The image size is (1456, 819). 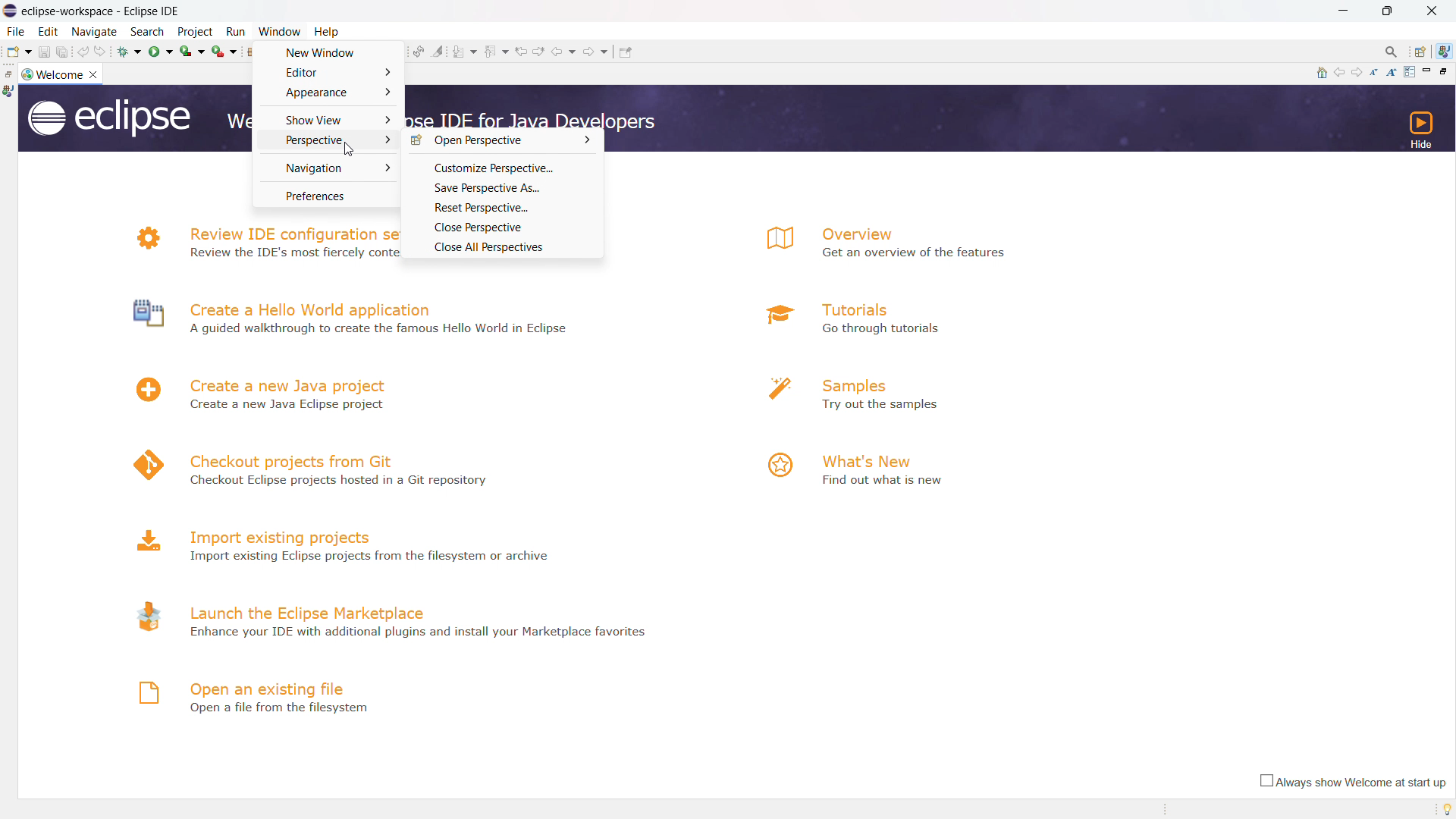 What do you see at coordinates (1358, 73) in the screenshot?
I see `navigate to next topic` at bounding box center [1358, 73].